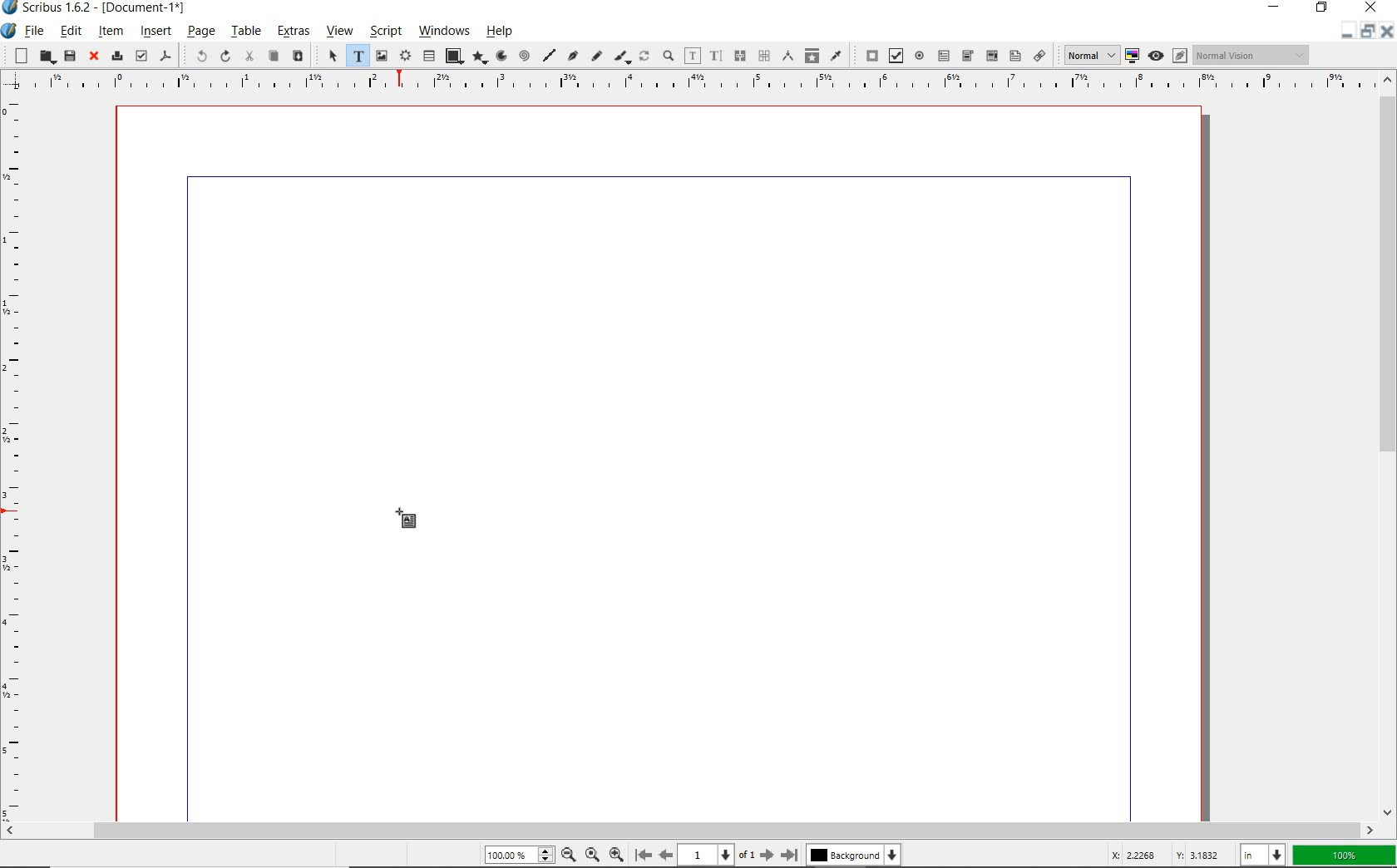  Describe the element at coordinates (1345, 32) in the screenshot. I see `Restore down` at that location.